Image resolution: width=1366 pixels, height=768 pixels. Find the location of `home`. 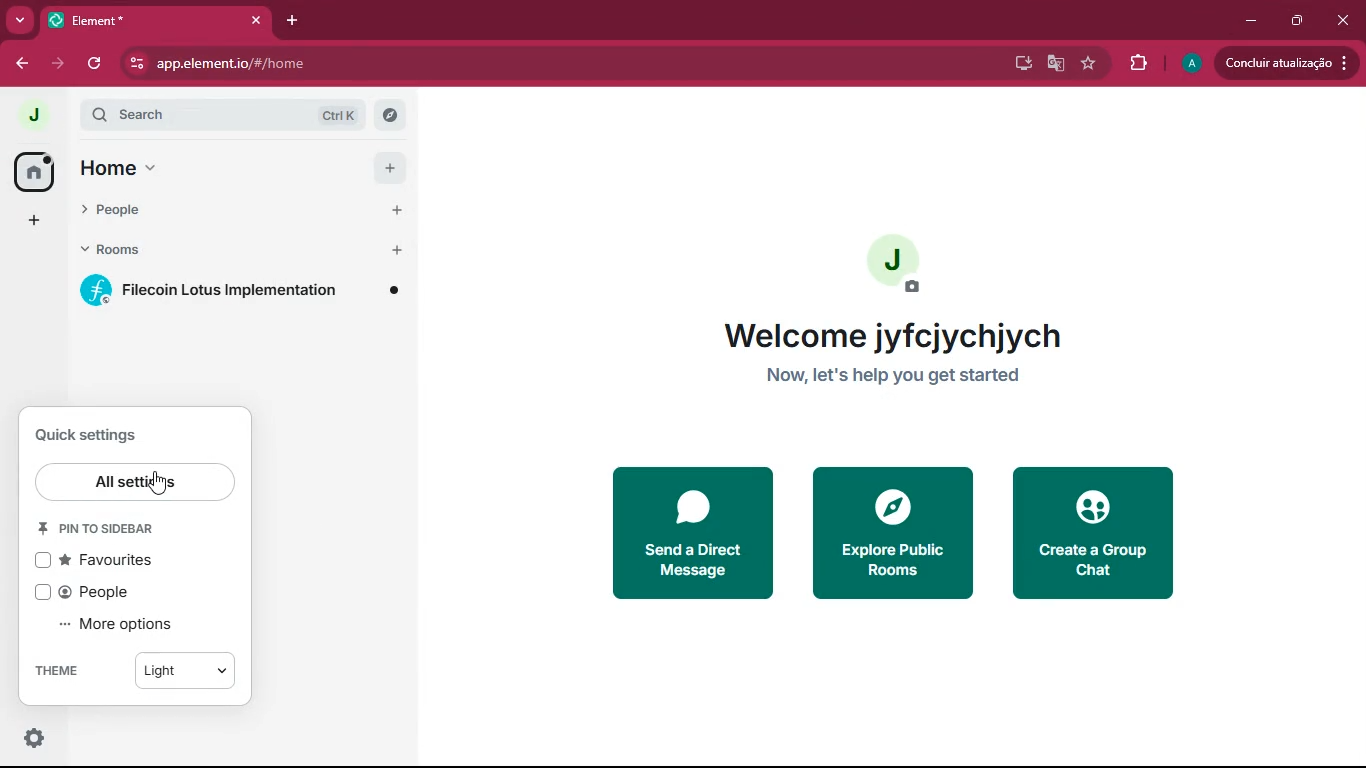

home is located at coordinates (33, 172).